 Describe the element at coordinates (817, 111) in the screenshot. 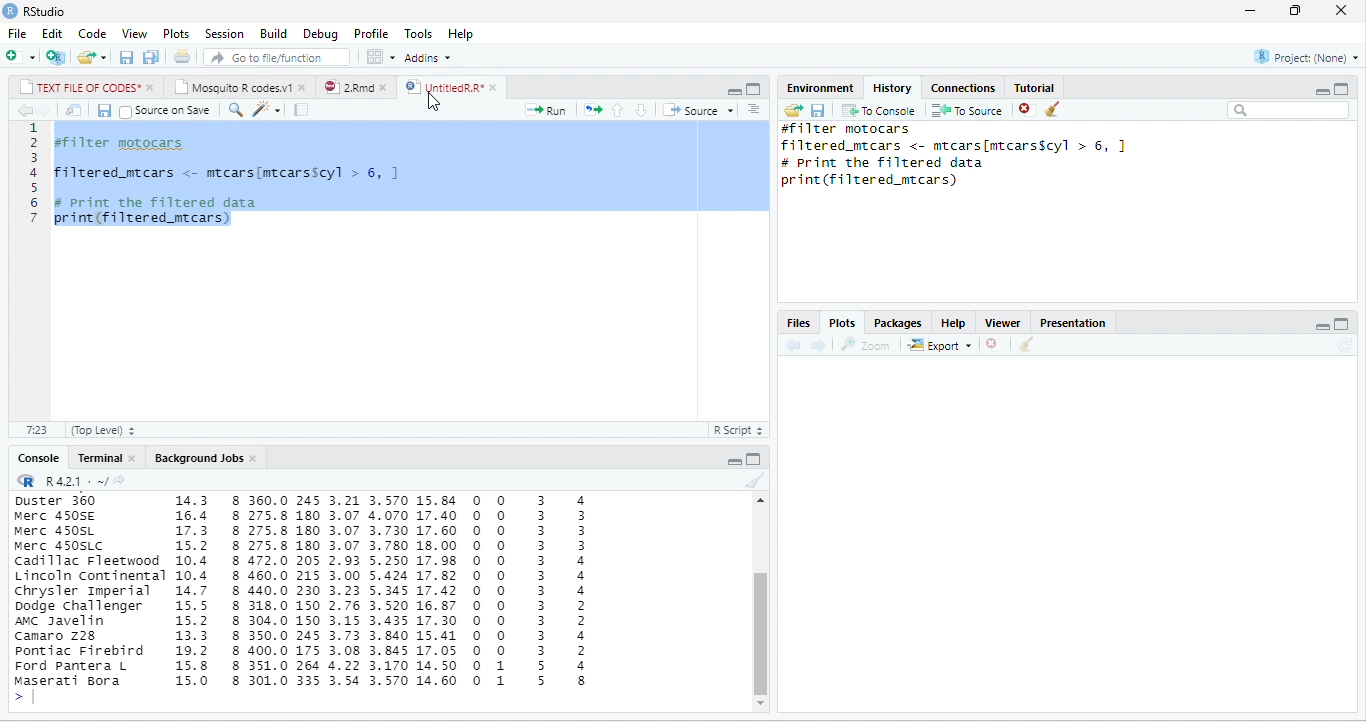

I see `save` at that location.